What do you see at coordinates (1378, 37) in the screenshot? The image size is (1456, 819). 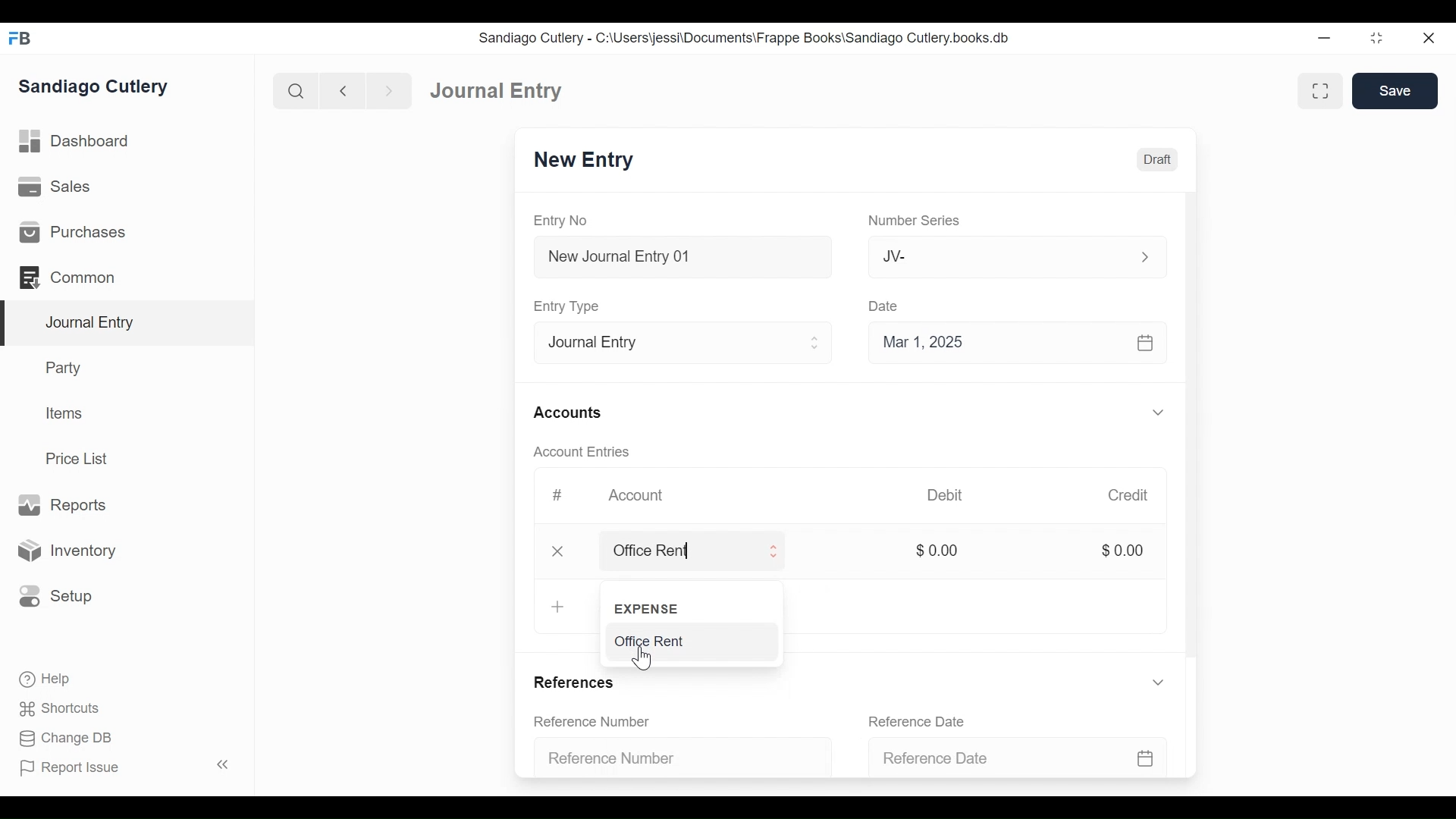 I see `maximize` at bounding box center [1378, 37].